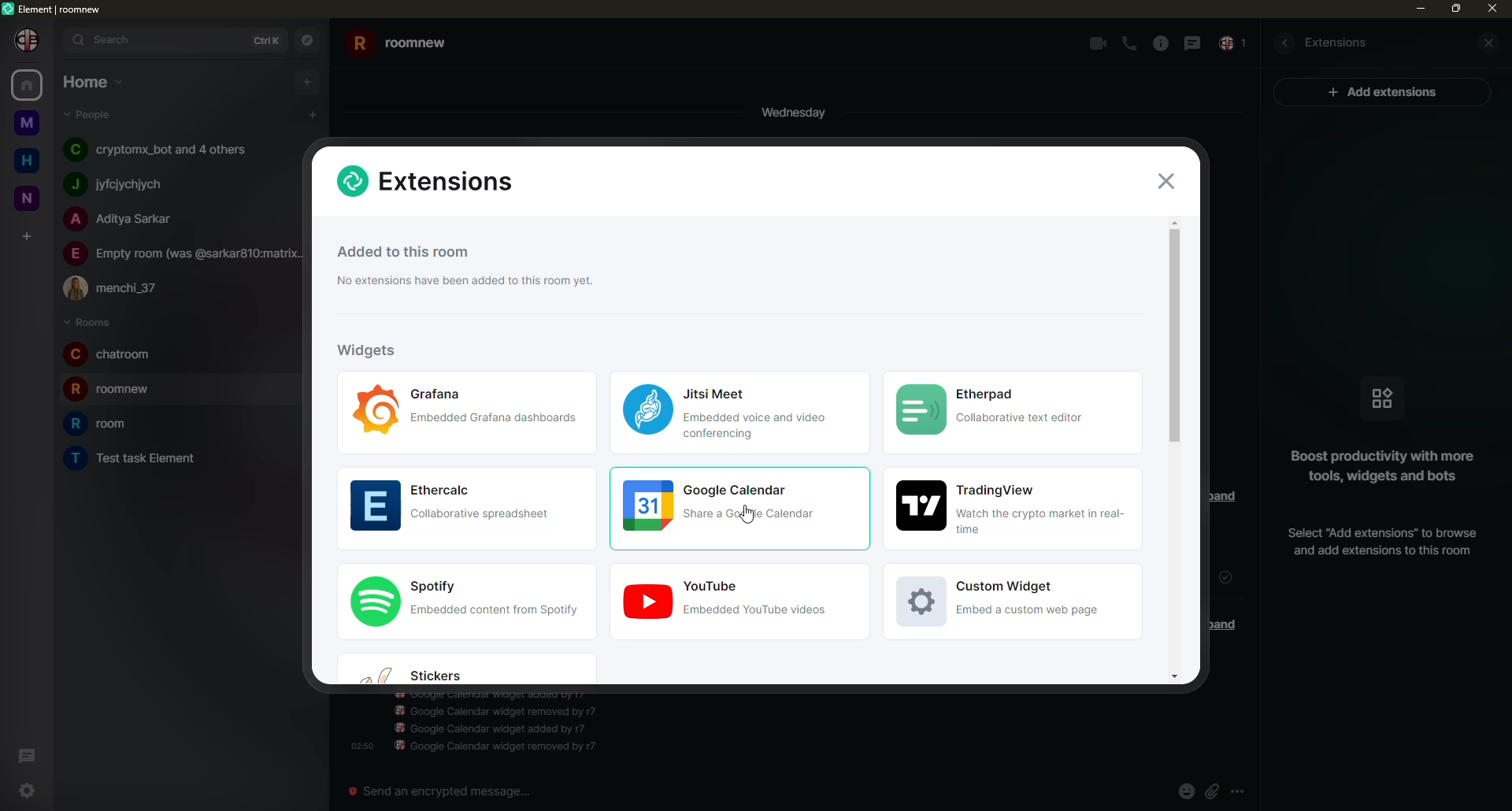 The width and height of the screenshot is (1512, 811). Describe the element at coordinates (1379, 398) in the screenshot. I see `icon` at that location.